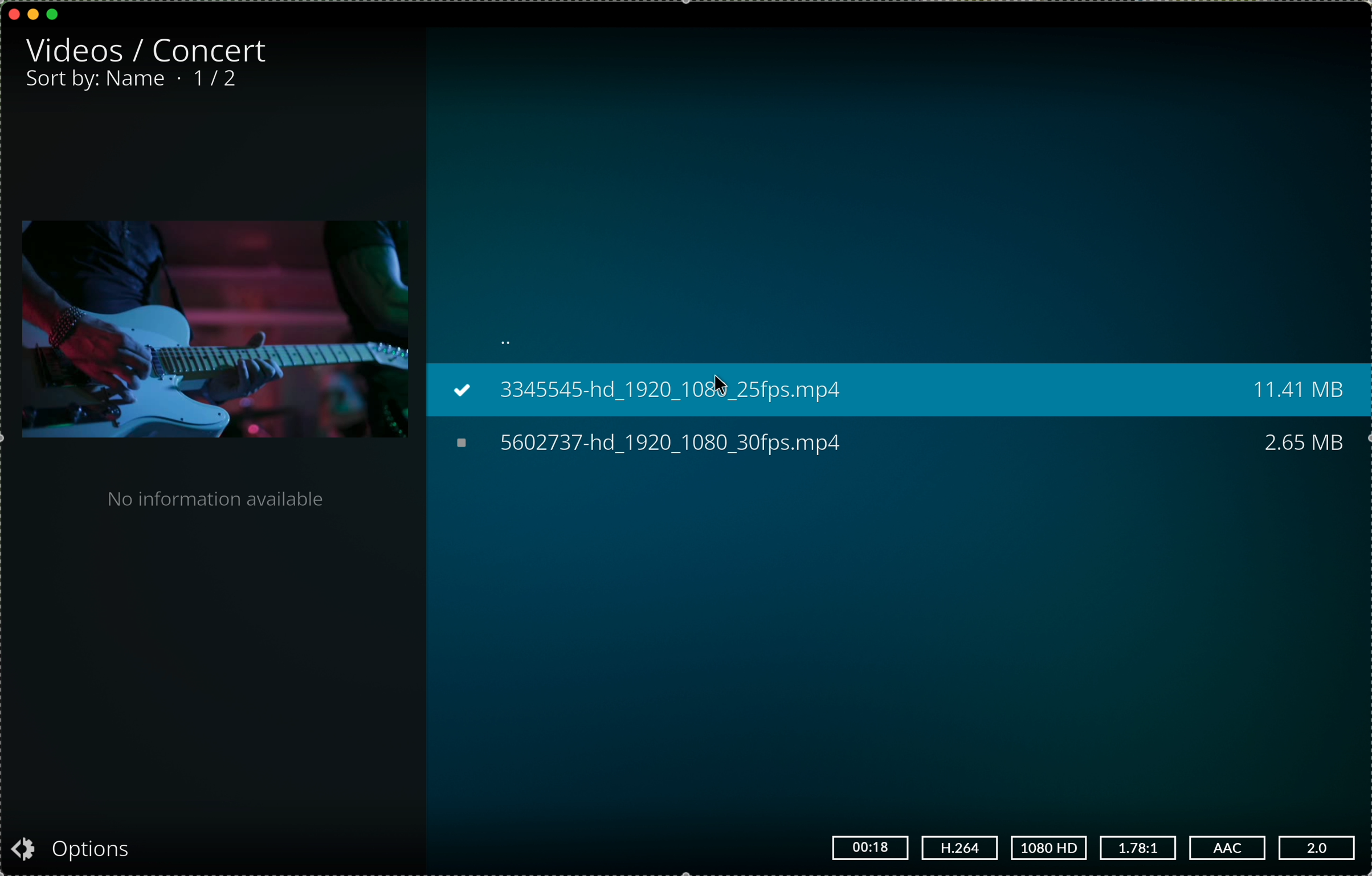  I want to click on options, so click(77, 851).